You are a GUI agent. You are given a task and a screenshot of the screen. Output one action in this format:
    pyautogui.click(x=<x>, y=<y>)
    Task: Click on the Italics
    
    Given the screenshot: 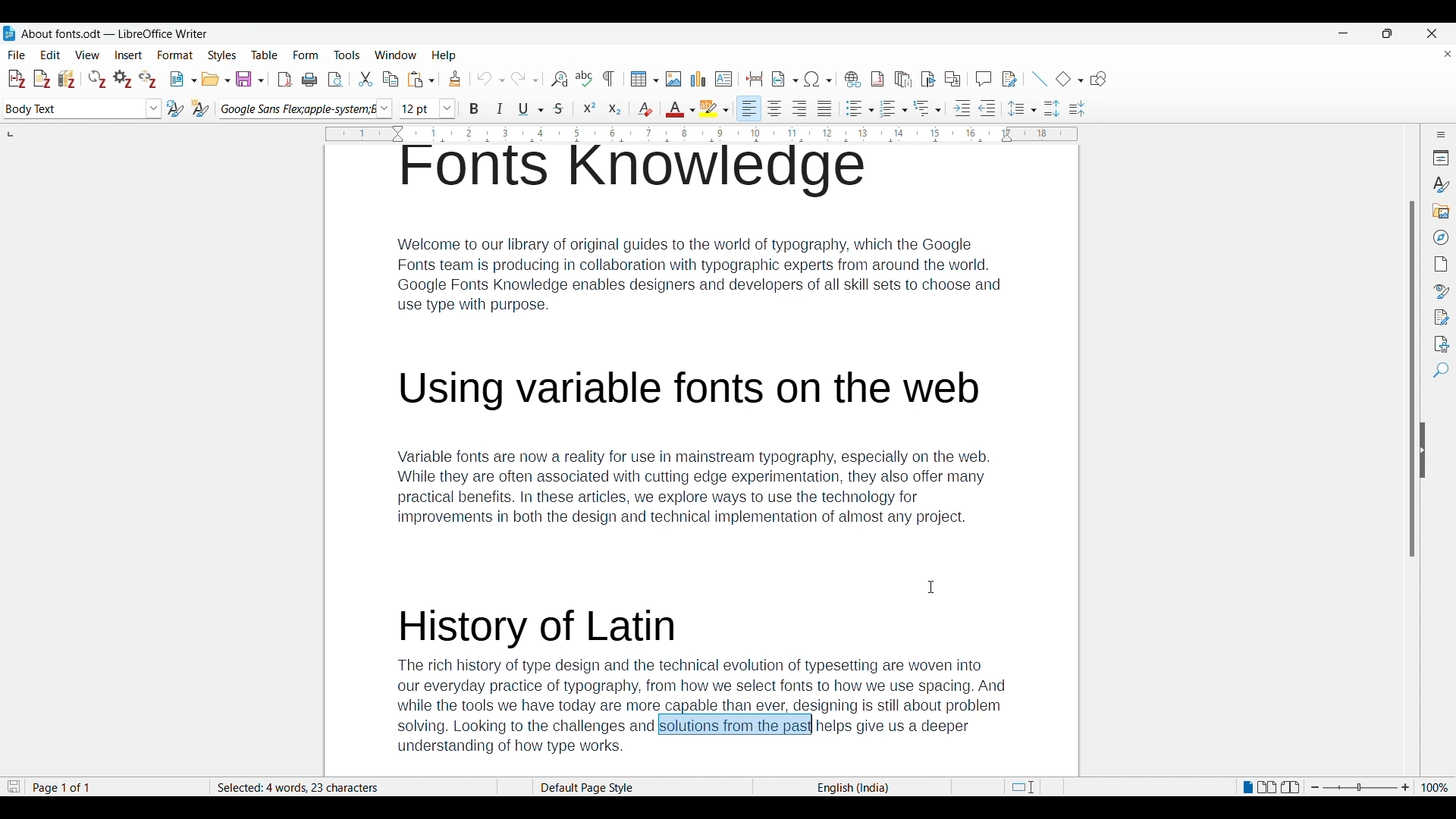 What is the action you would take?
    pyautogui.click(x=500, y=108)
    